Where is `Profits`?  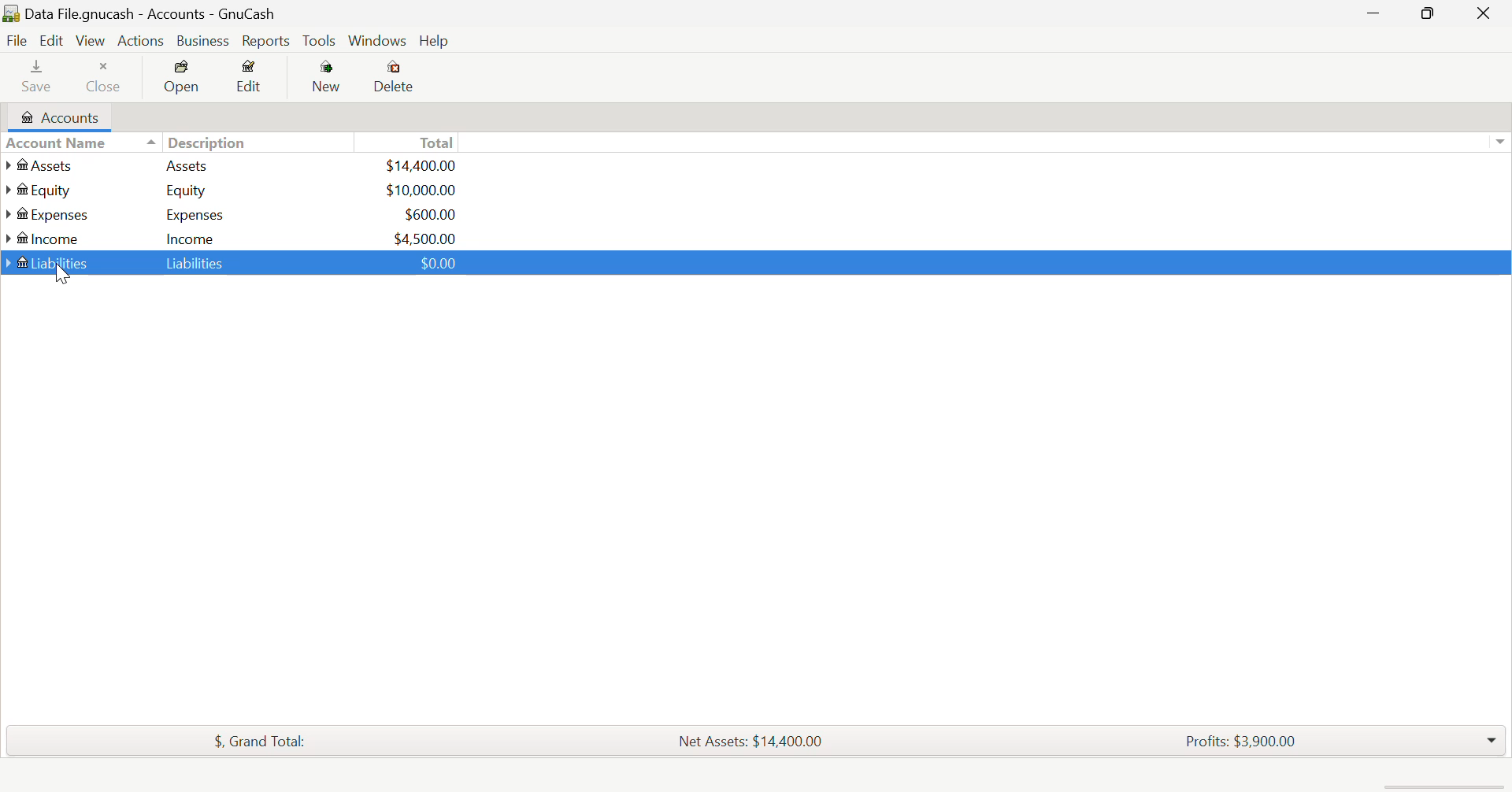
Profits is located at coordinates (1234, 739).